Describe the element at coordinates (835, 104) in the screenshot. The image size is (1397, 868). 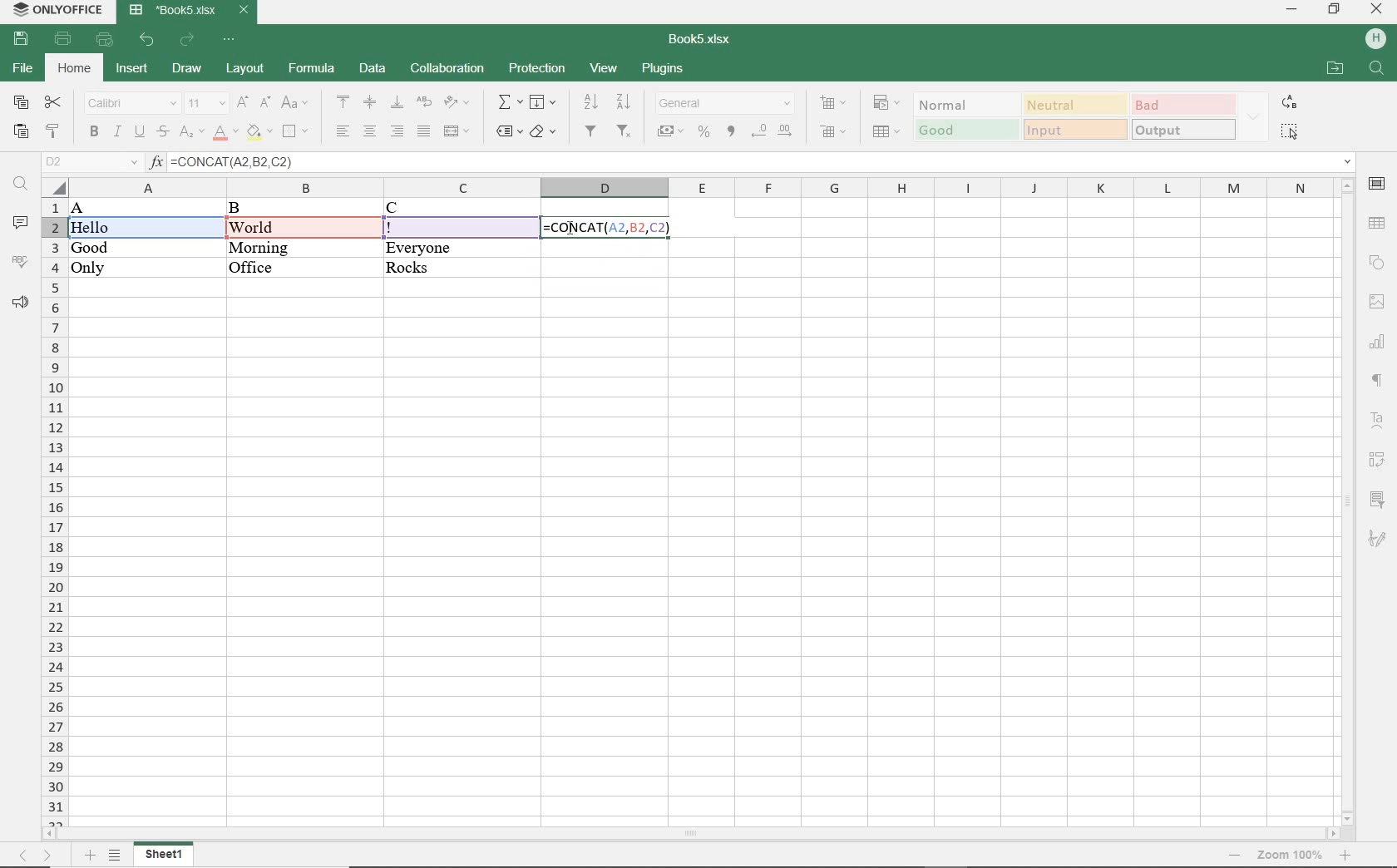
I see `INSERT CELLS` at that location.